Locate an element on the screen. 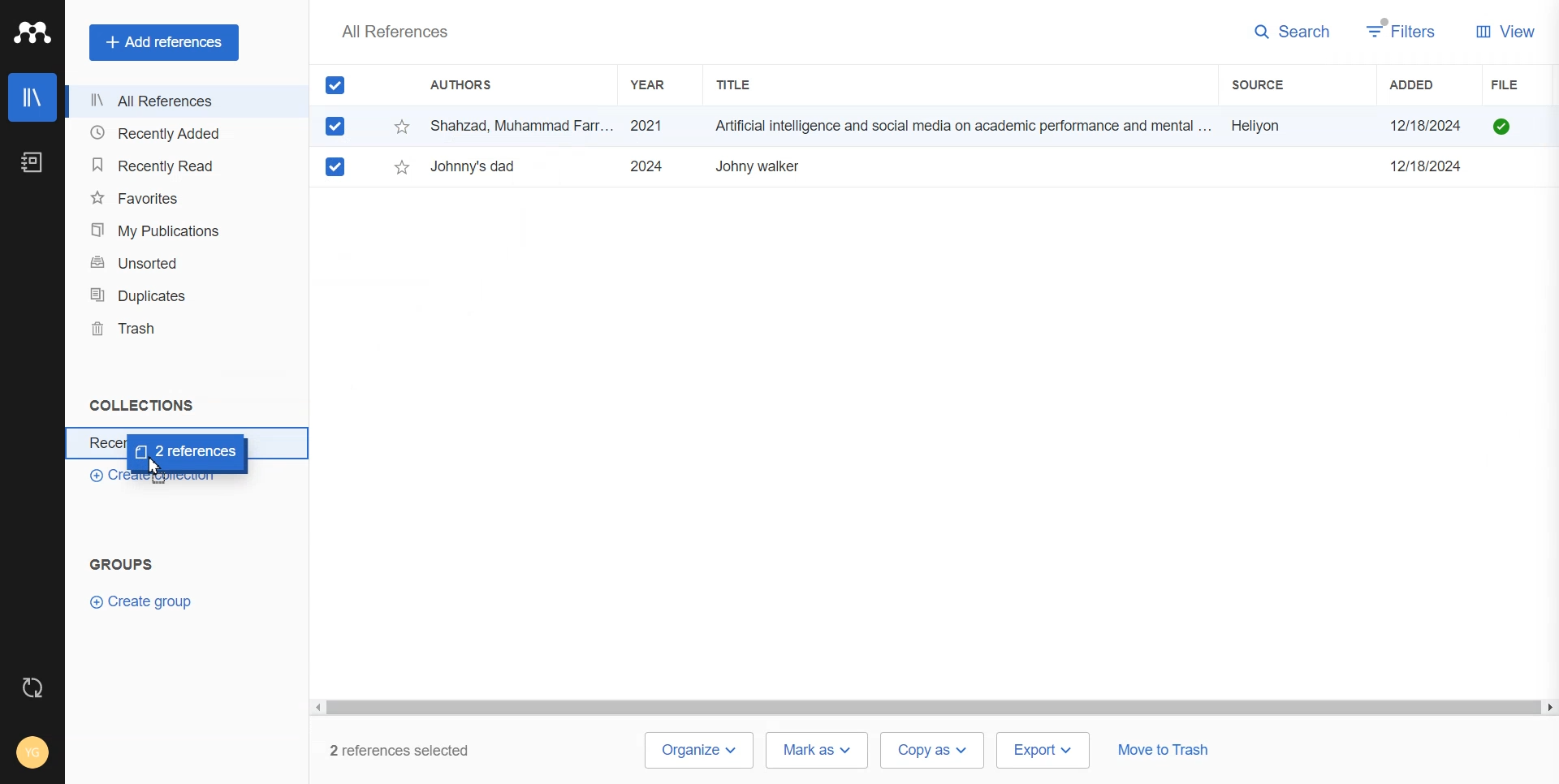  Cursor is located at coordinates (188, 455).